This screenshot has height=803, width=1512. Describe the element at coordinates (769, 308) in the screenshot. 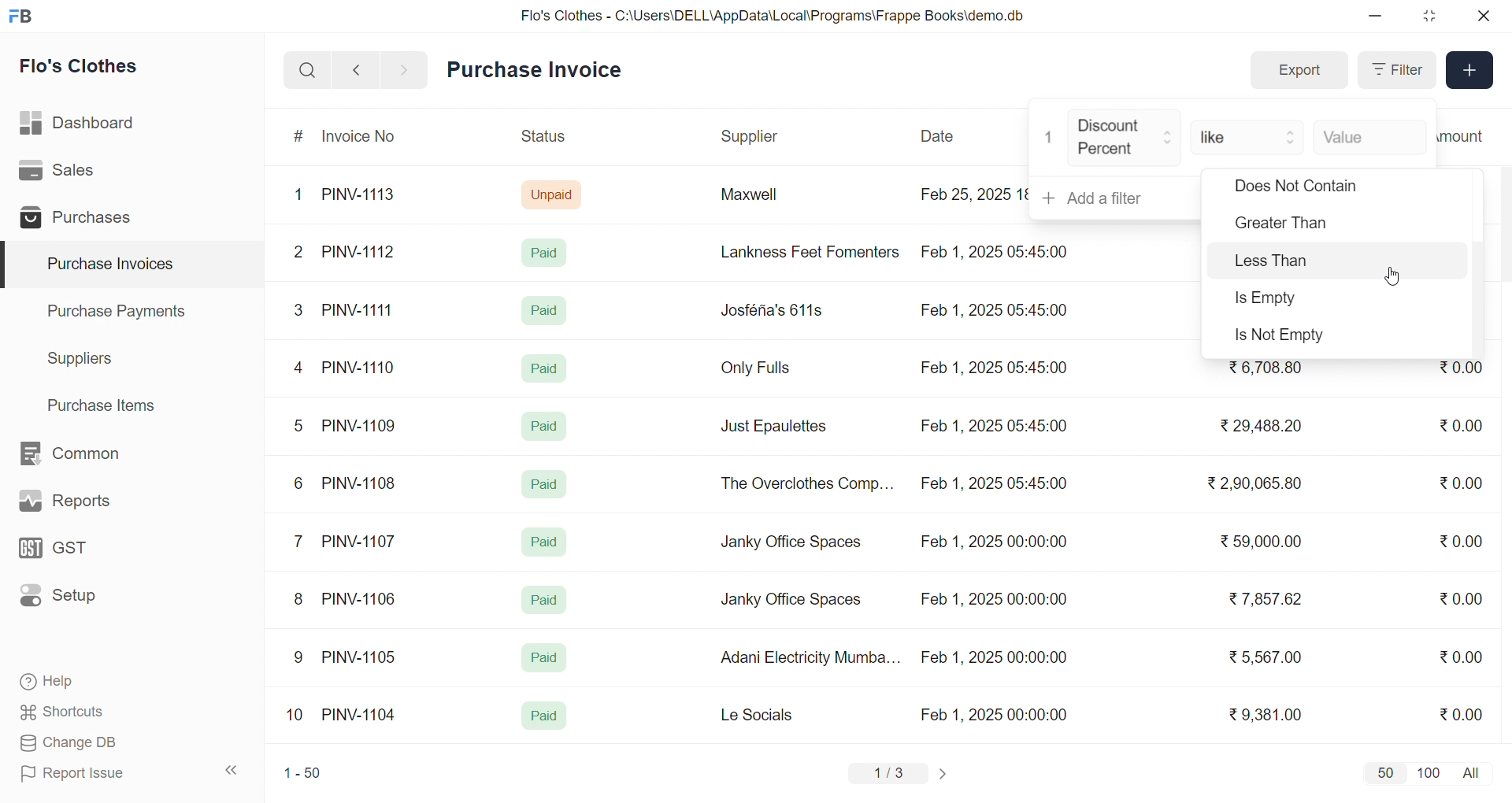

I see `Josféria's 611s` at that location.